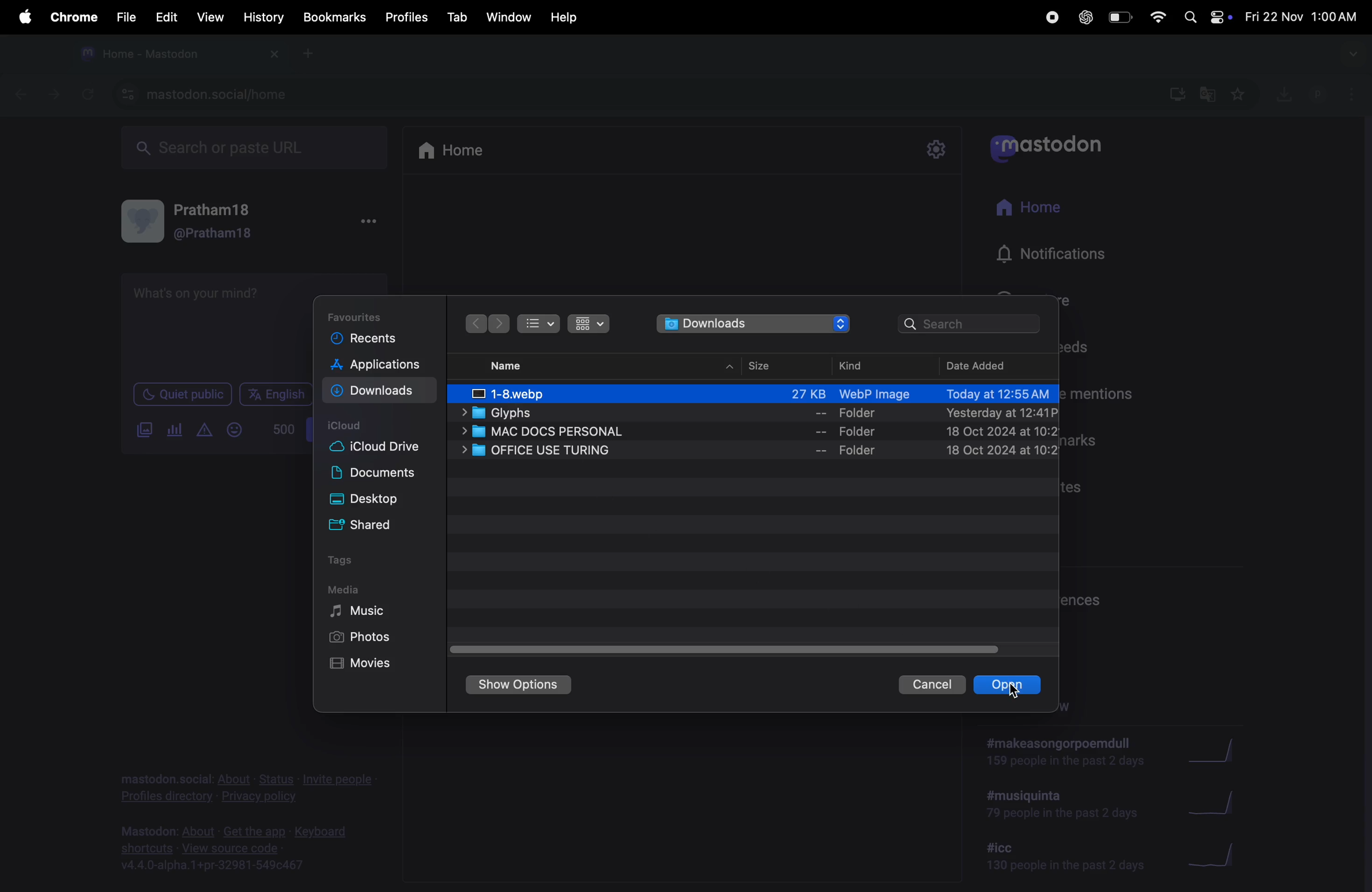 Image resolution: width=1372 pixels, height=892 pixels. What do you see at coordinates (147, 832) in the screenshot?
I see `mastodon` at bounding box center [147, 832].